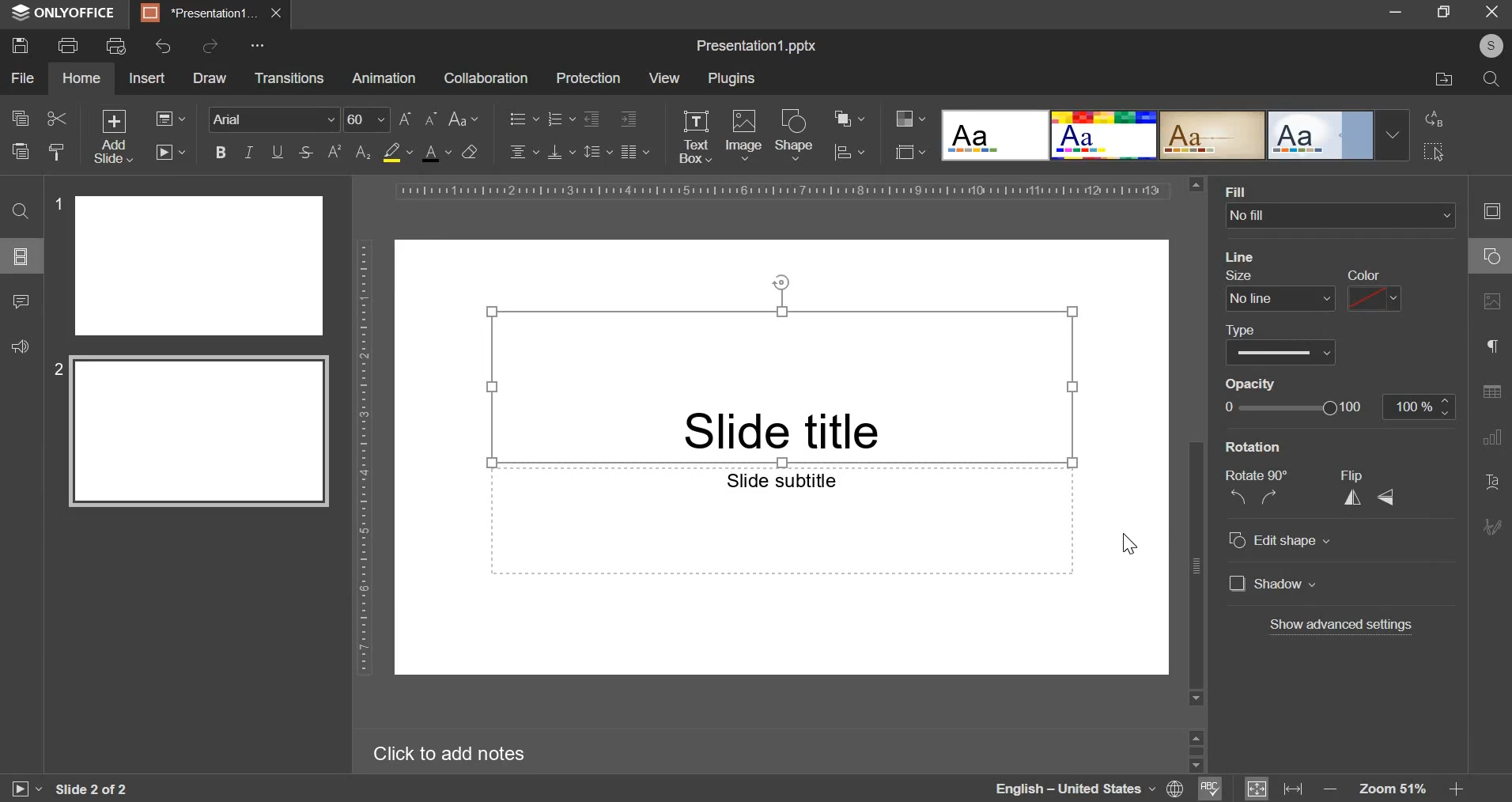 Image resolution: width=1512 pixels, height=802 pixels. Describe the element at coordinates (397, 153) in the screenshot. I see `fill color` at that location.